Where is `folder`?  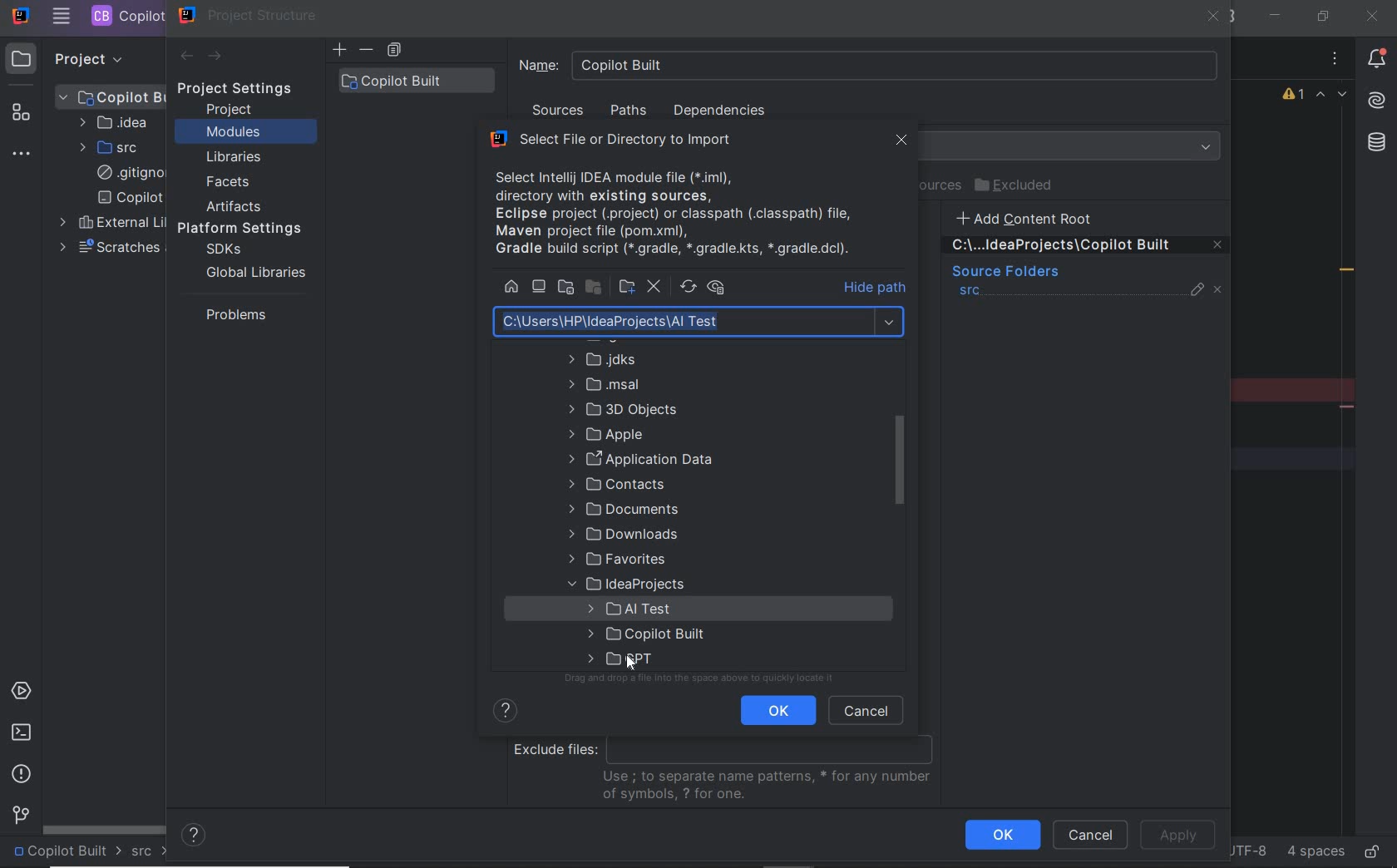 folder is located at coordinates (601, 384).